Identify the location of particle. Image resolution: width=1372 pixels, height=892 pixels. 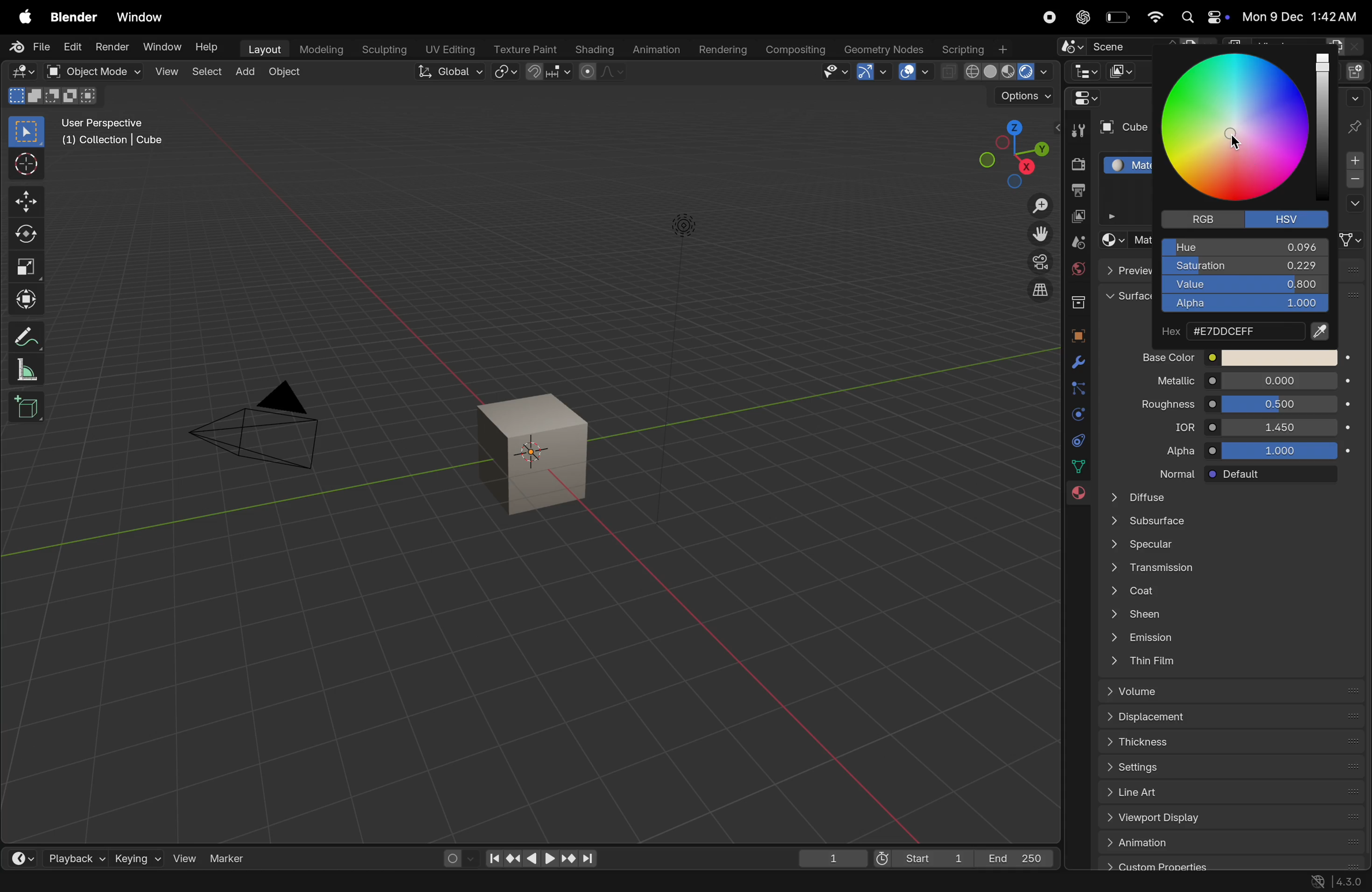
(1077, 390).